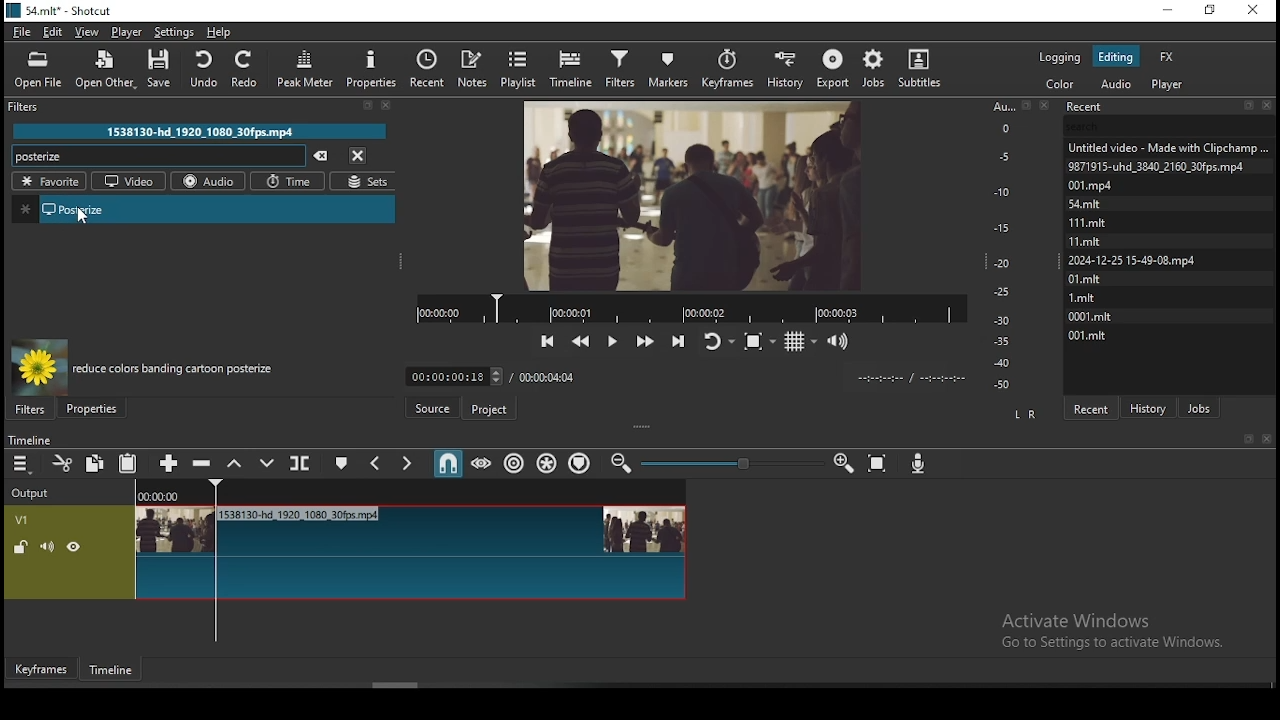 This screenshot has width=1280, height=720. What do you see at coordinates (168, 464) in the screenshot?
I see `append` at bounding box center [168, 464].